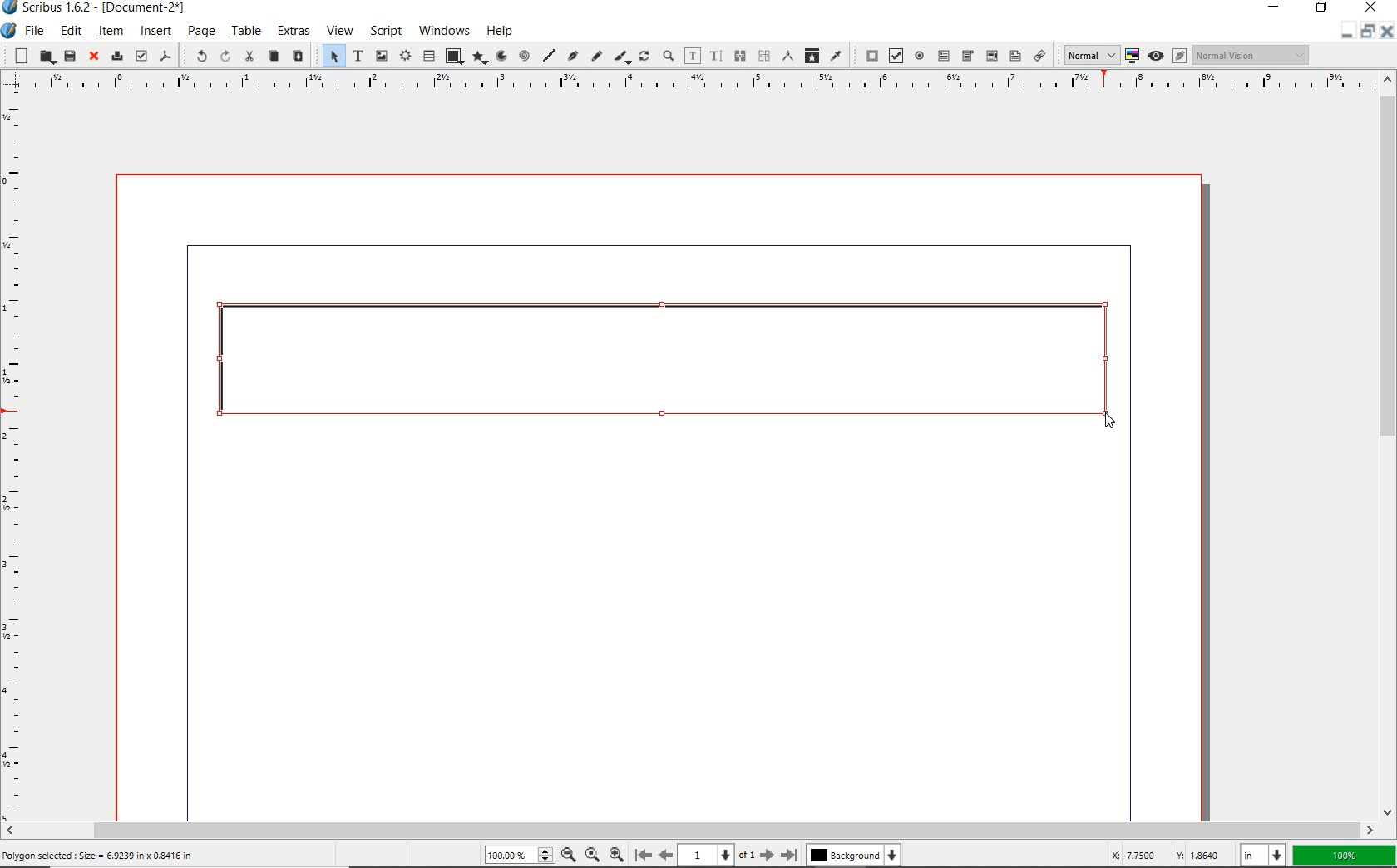  I want to click on select item, so click(332, 55).